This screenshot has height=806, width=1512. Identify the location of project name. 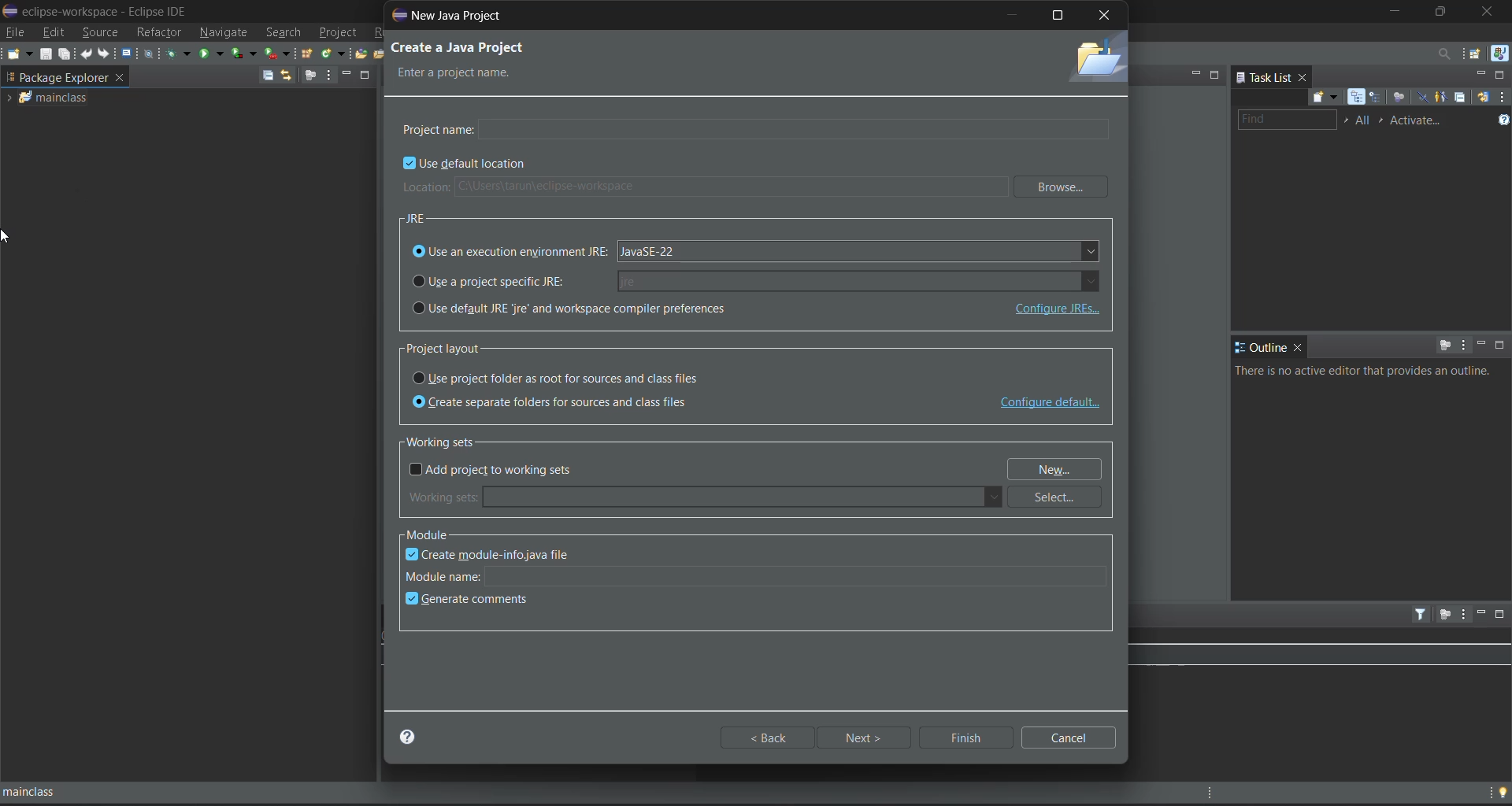
(755, 127).